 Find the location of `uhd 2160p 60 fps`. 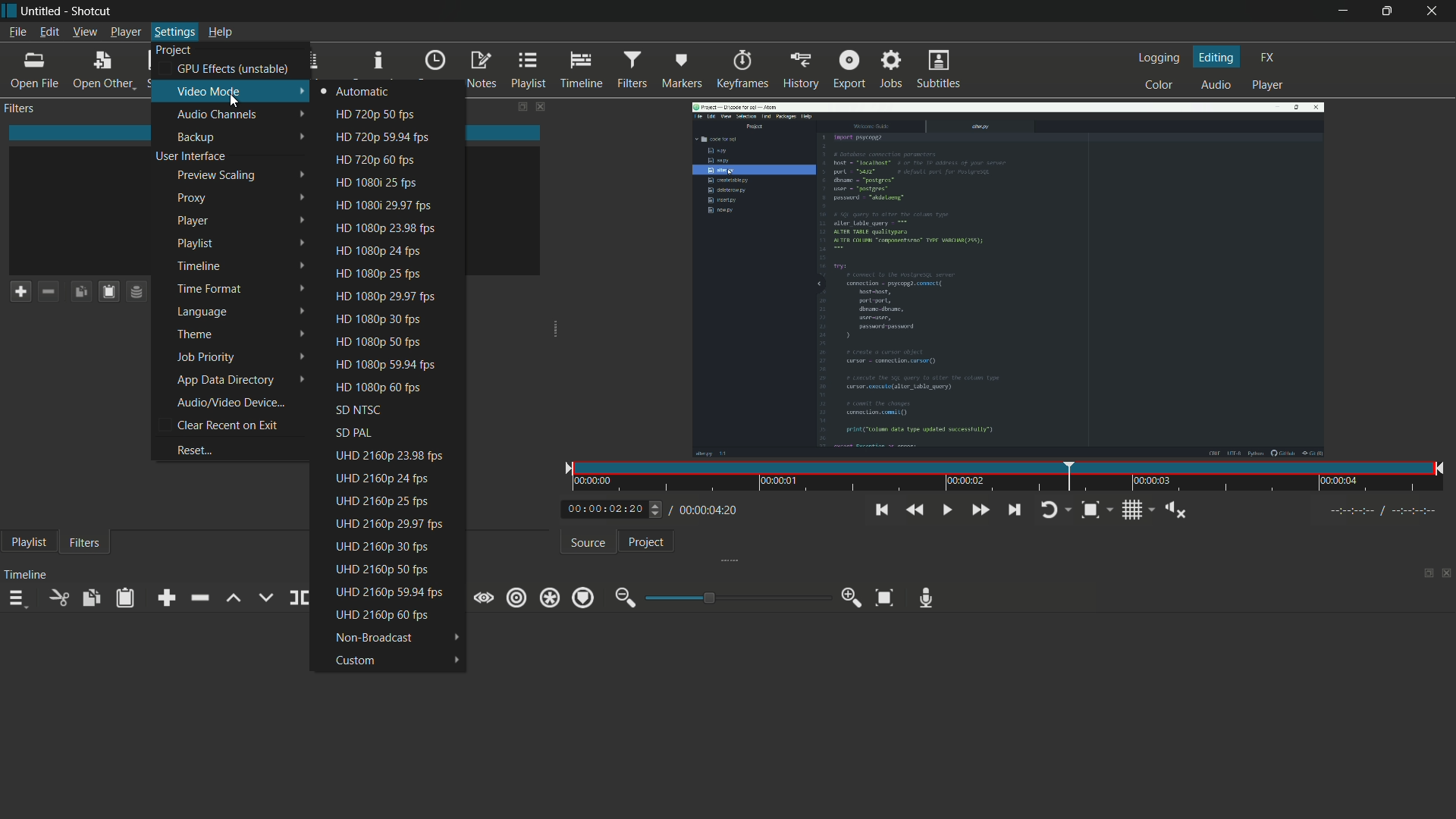

uhd 2160p 60 fps is located at coordinates (393, 615).